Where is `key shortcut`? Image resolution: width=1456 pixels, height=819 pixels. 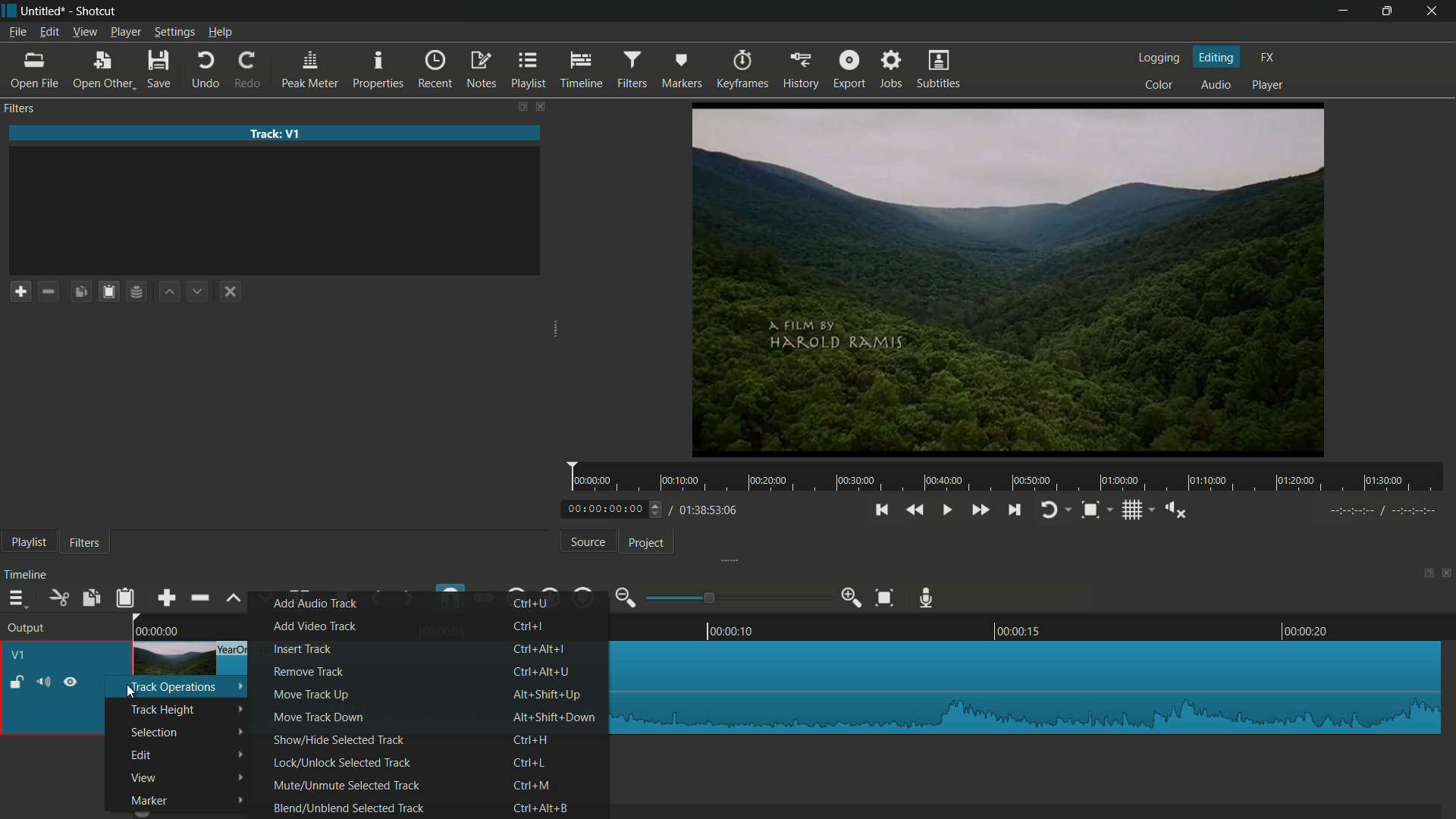 key shortcut is located at coordinates (528, 626).